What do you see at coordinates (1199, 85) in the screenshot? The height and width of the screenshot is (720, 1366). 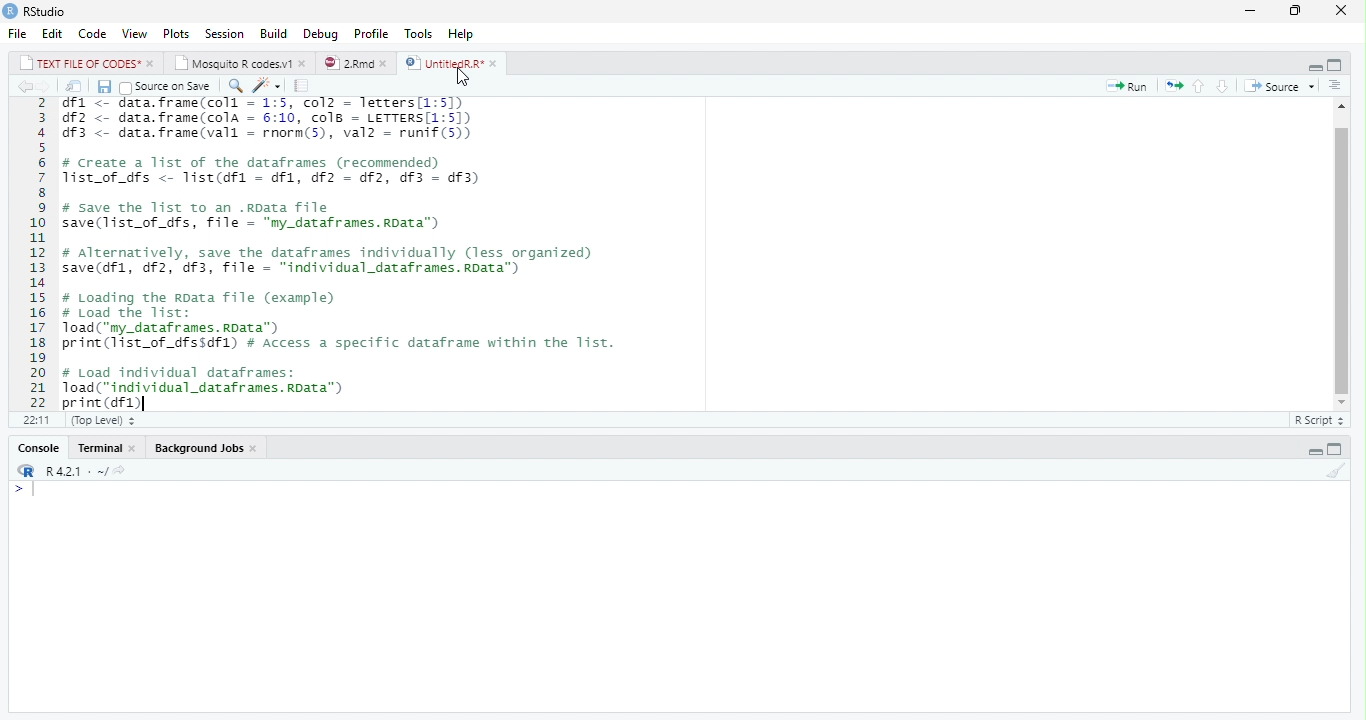 I see `Go to previous section` at bounding box center [1199, 85].